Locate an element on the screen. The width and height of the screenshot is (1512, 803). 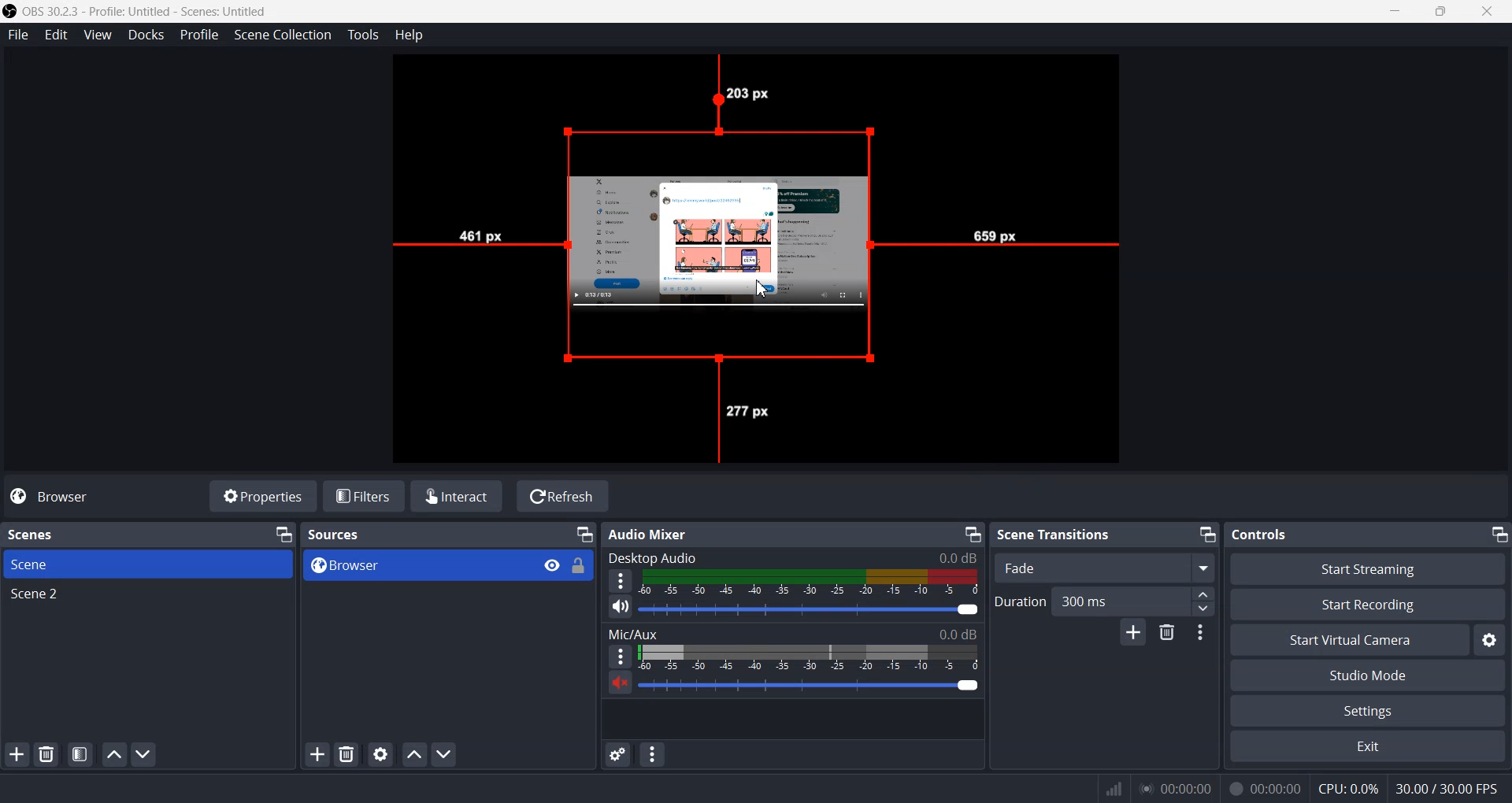
Cursor is located at coordinates (765, 290).